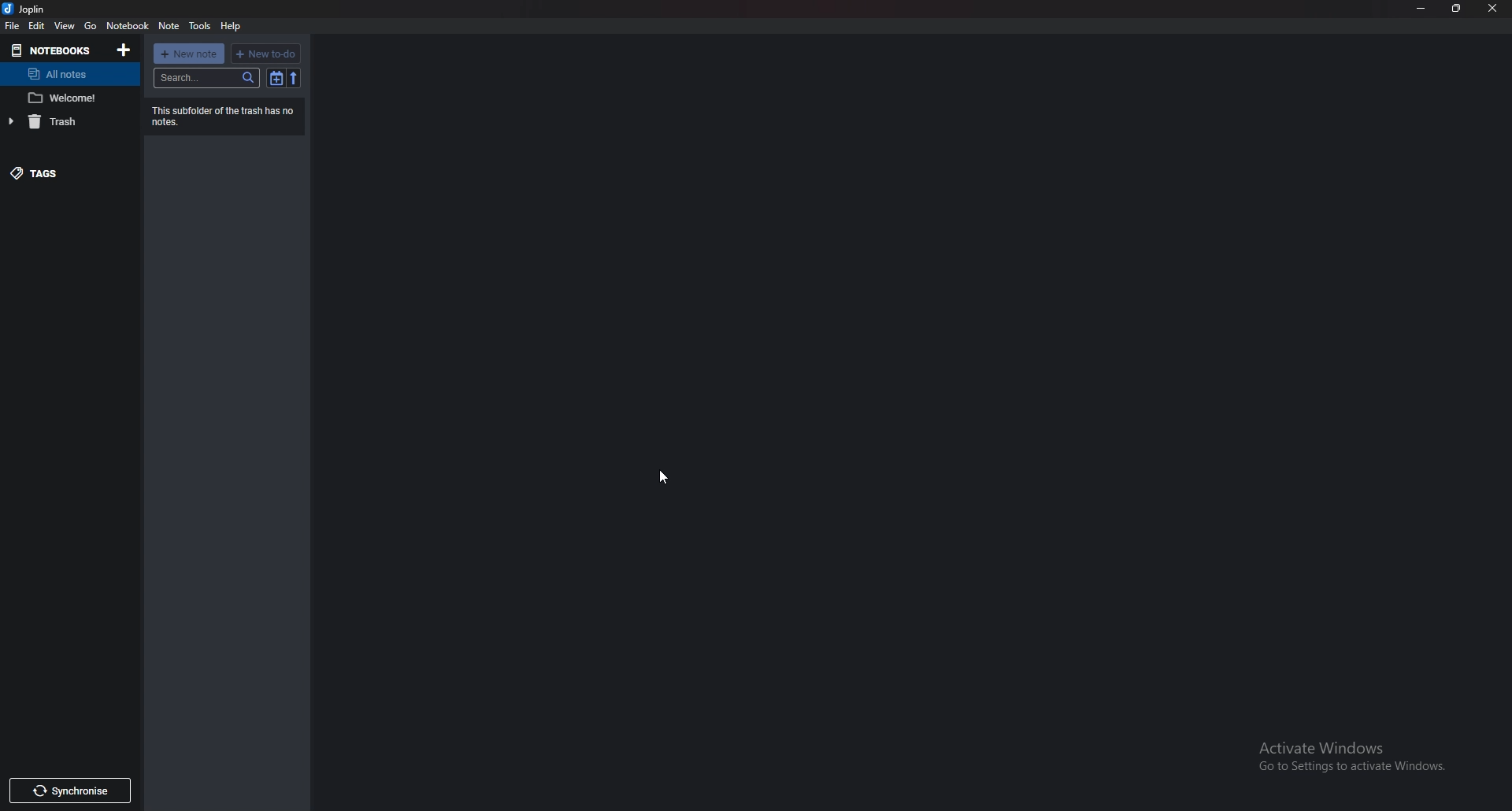 The height and width of the screenshot is (811, 1512). I want to click on cursor, so click(660, 478).